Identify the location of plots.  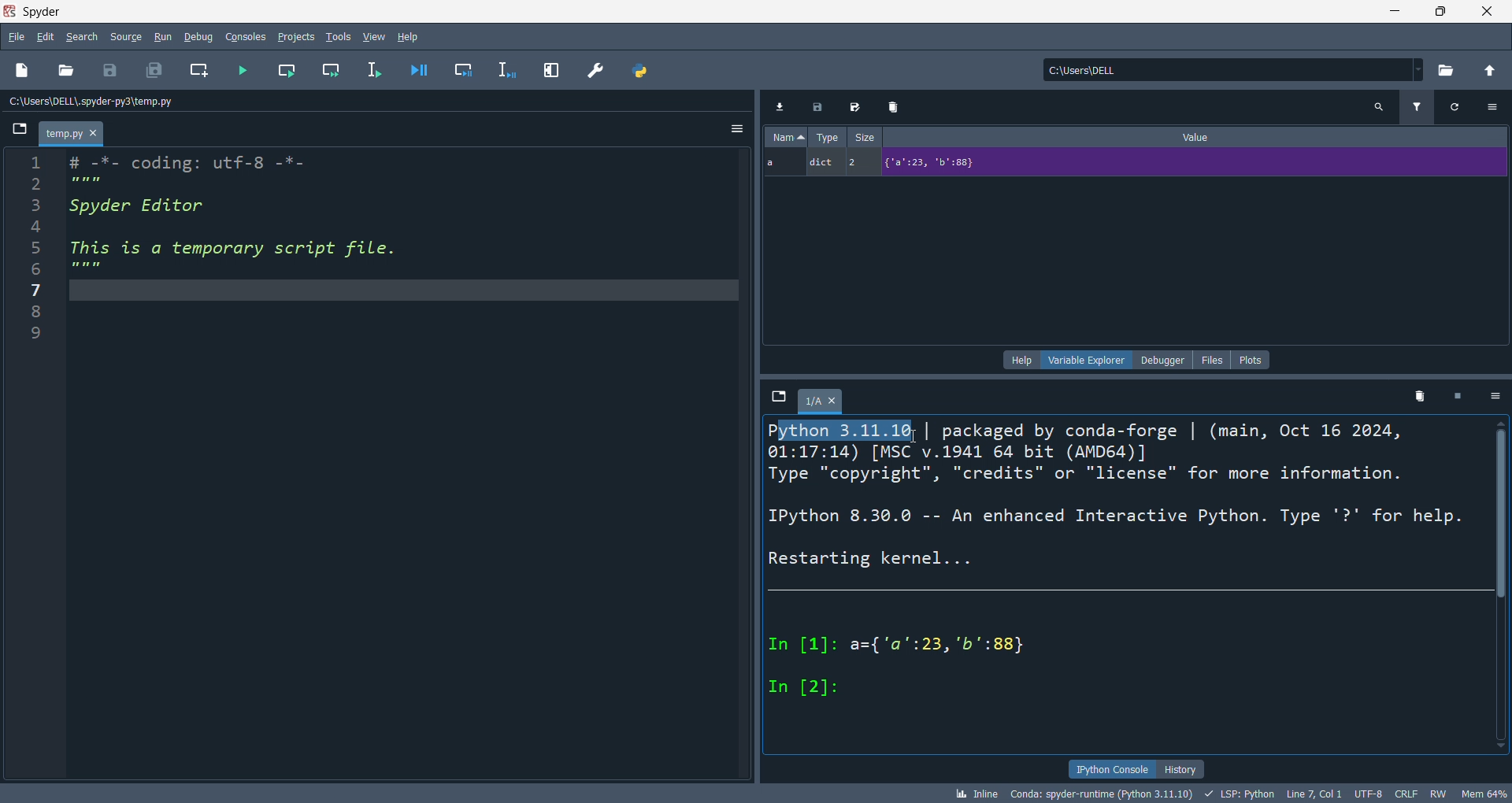
(1252, 360).